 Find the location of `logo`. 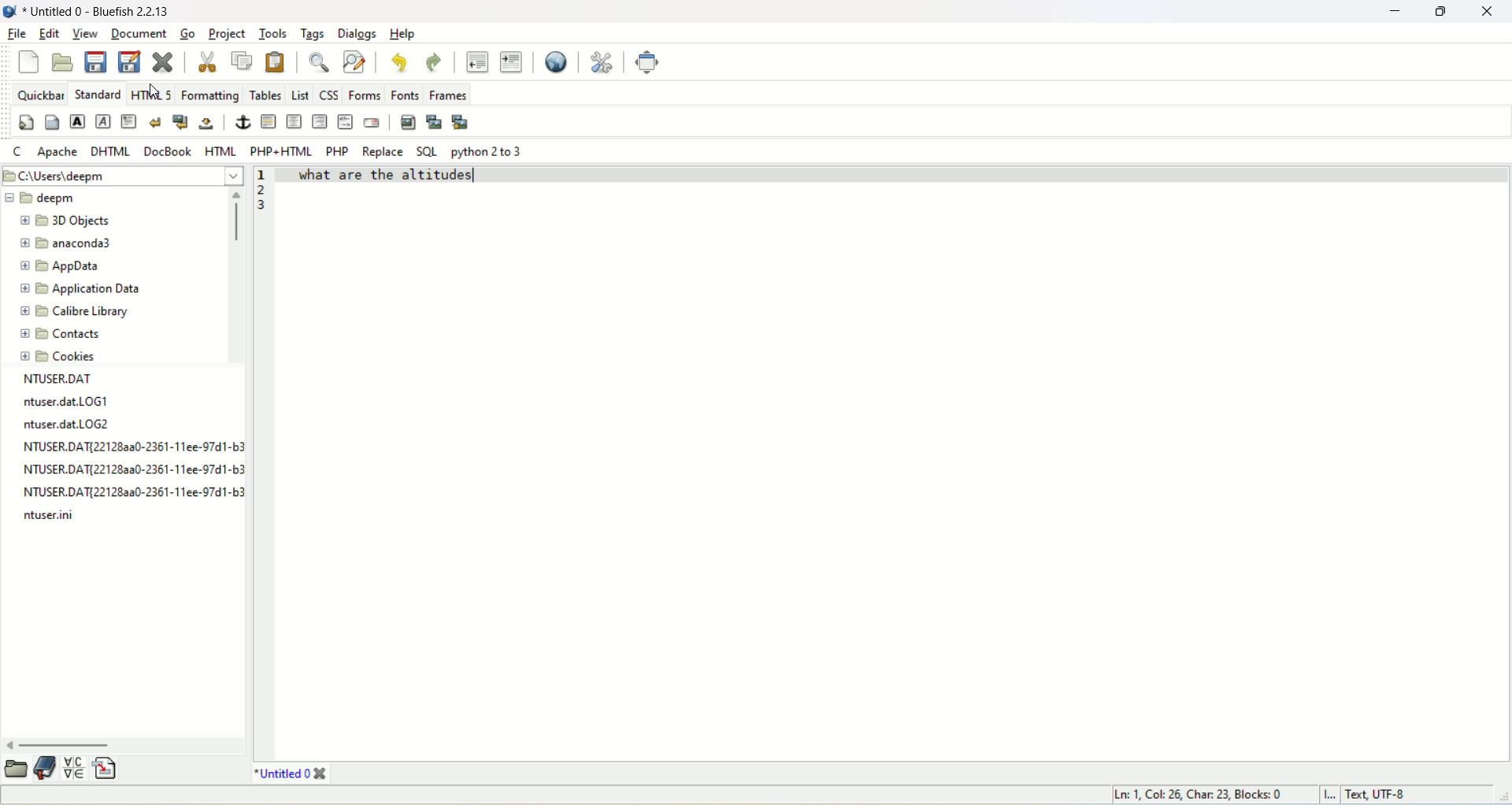

logo is located at coordinates (9, 11).